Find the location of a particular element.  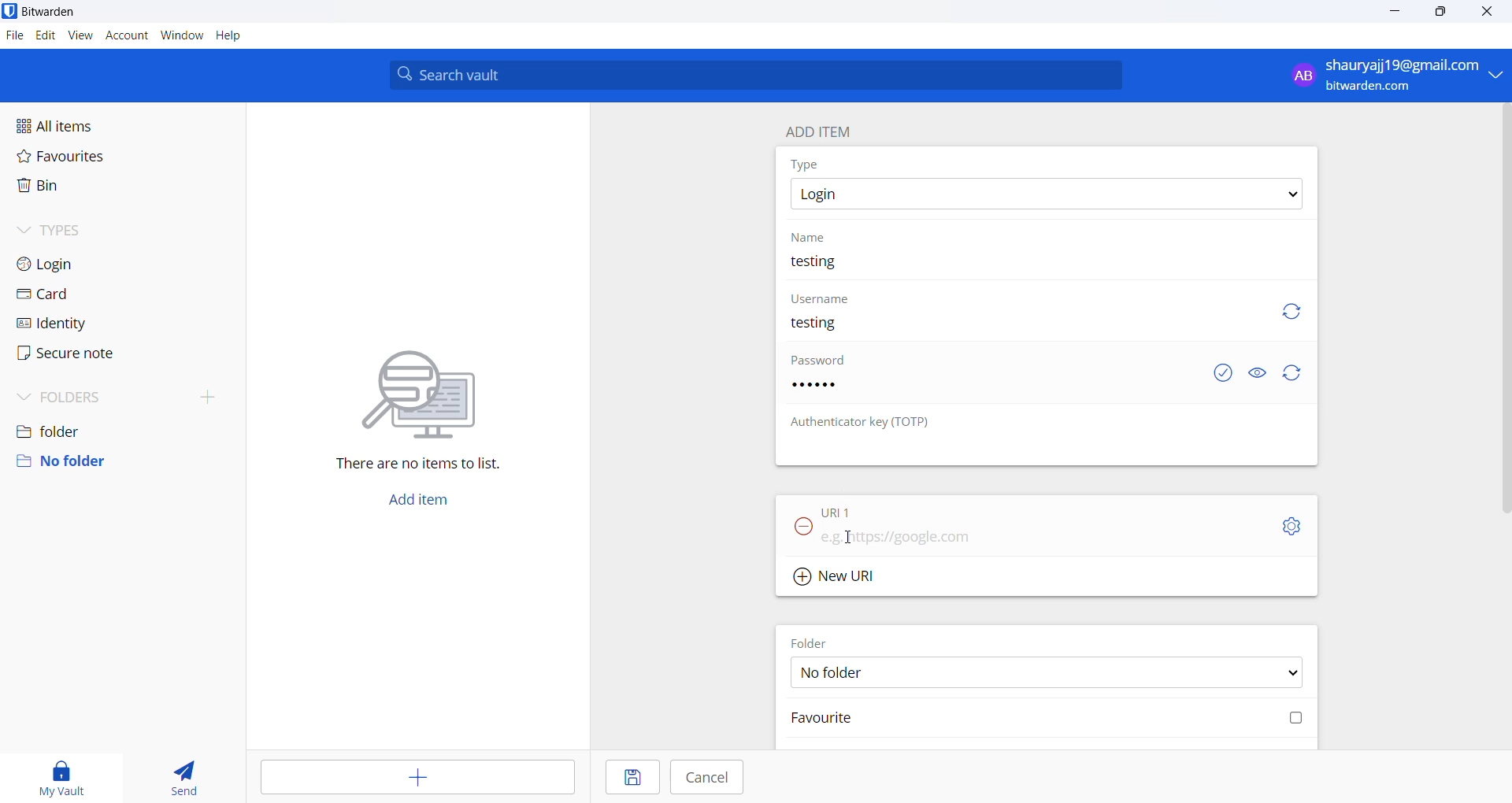

card is located at coordinates (82, 294).